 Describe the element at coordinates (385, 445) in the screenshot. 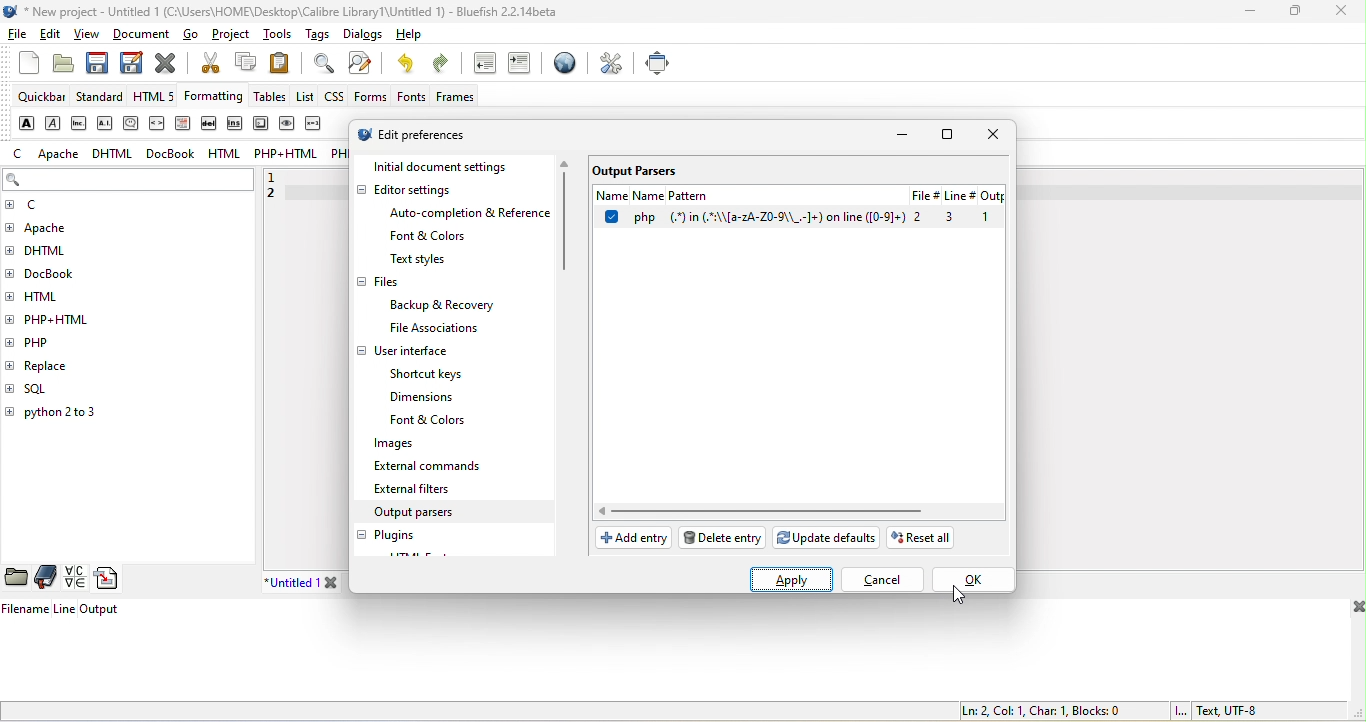

I see `images` at that location.